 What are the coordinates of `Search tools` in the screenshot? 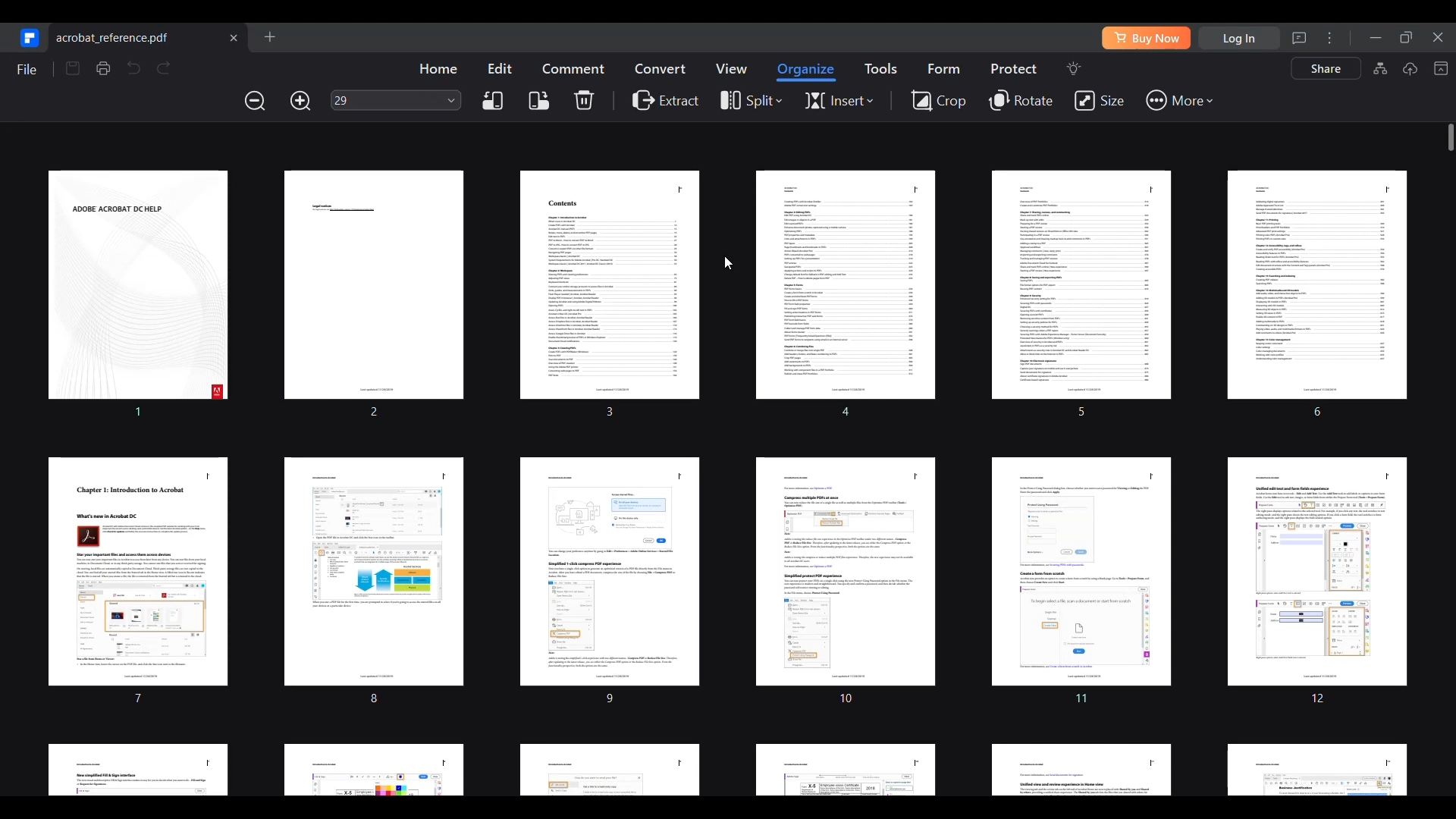 It's located at (1073, 68).